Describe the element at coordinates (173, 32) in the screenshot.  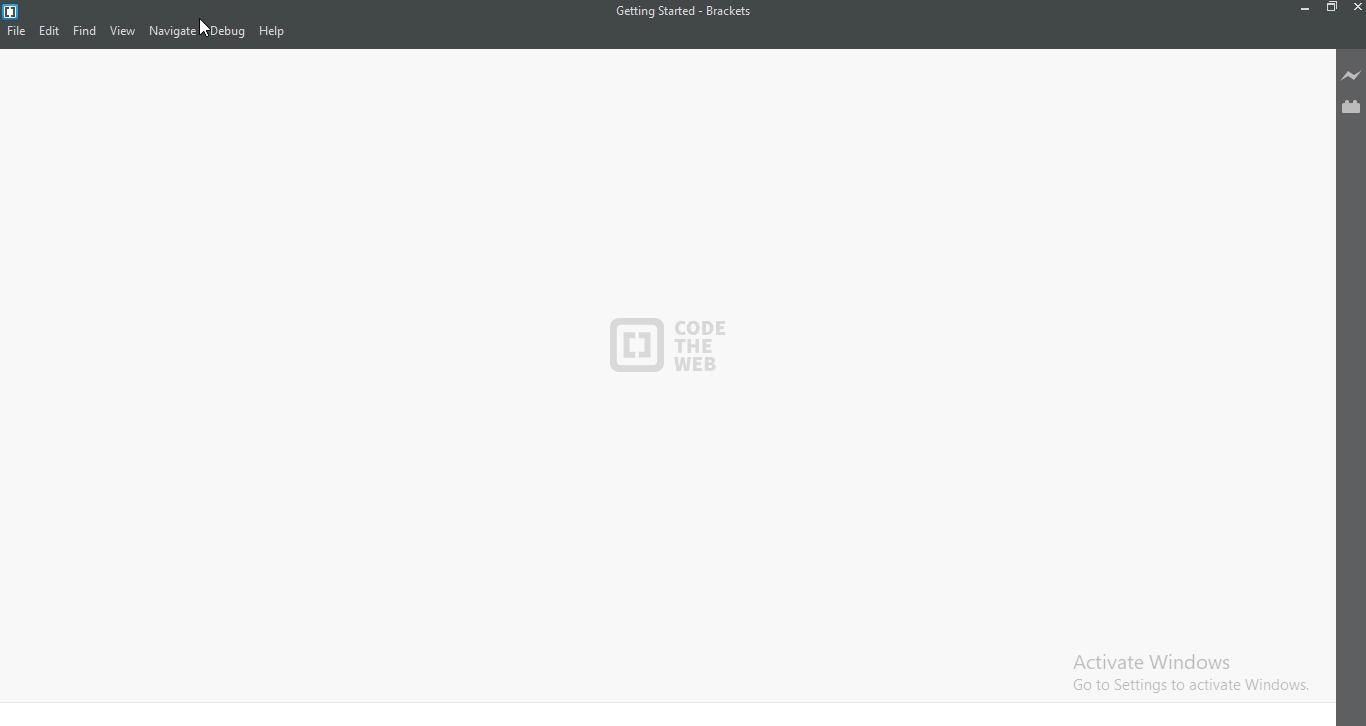
I see `Navigate` at that location.